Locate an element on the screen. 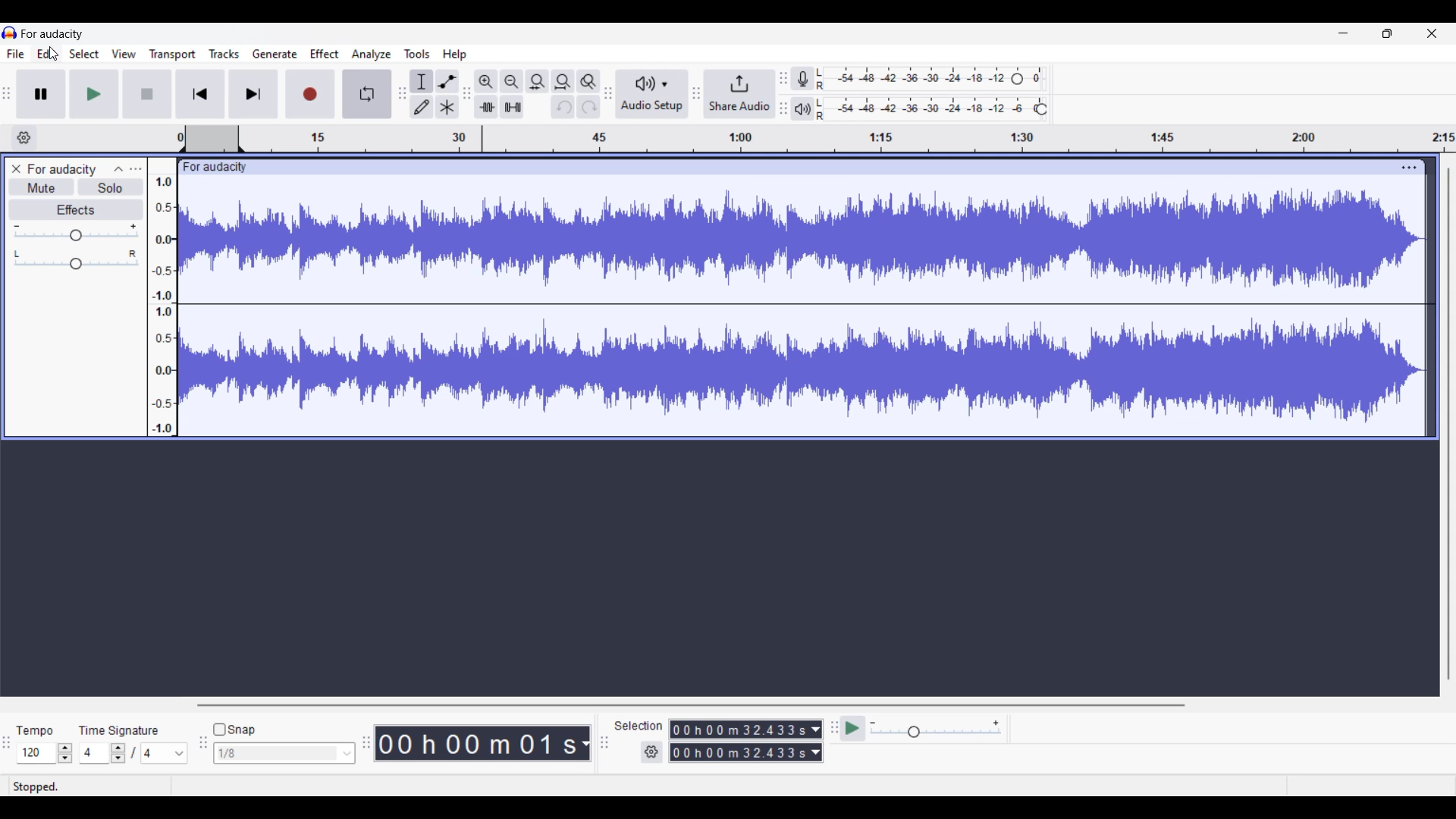  Measurement is located at coordinates (585, 744).